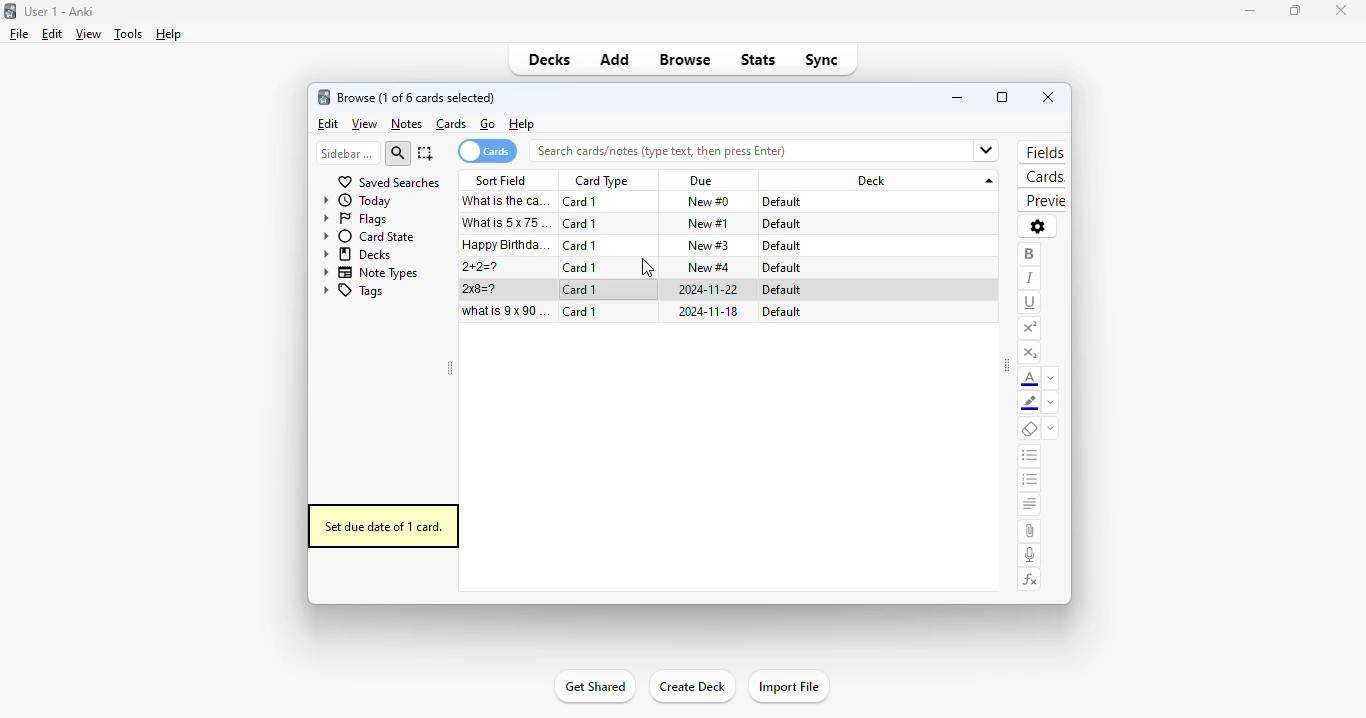 The width and height of the screenshot is (1366, 718). What do you see at coordinates (1051, 404) in the screenshot?
I see `change color` at bounding box center [1051, 404].